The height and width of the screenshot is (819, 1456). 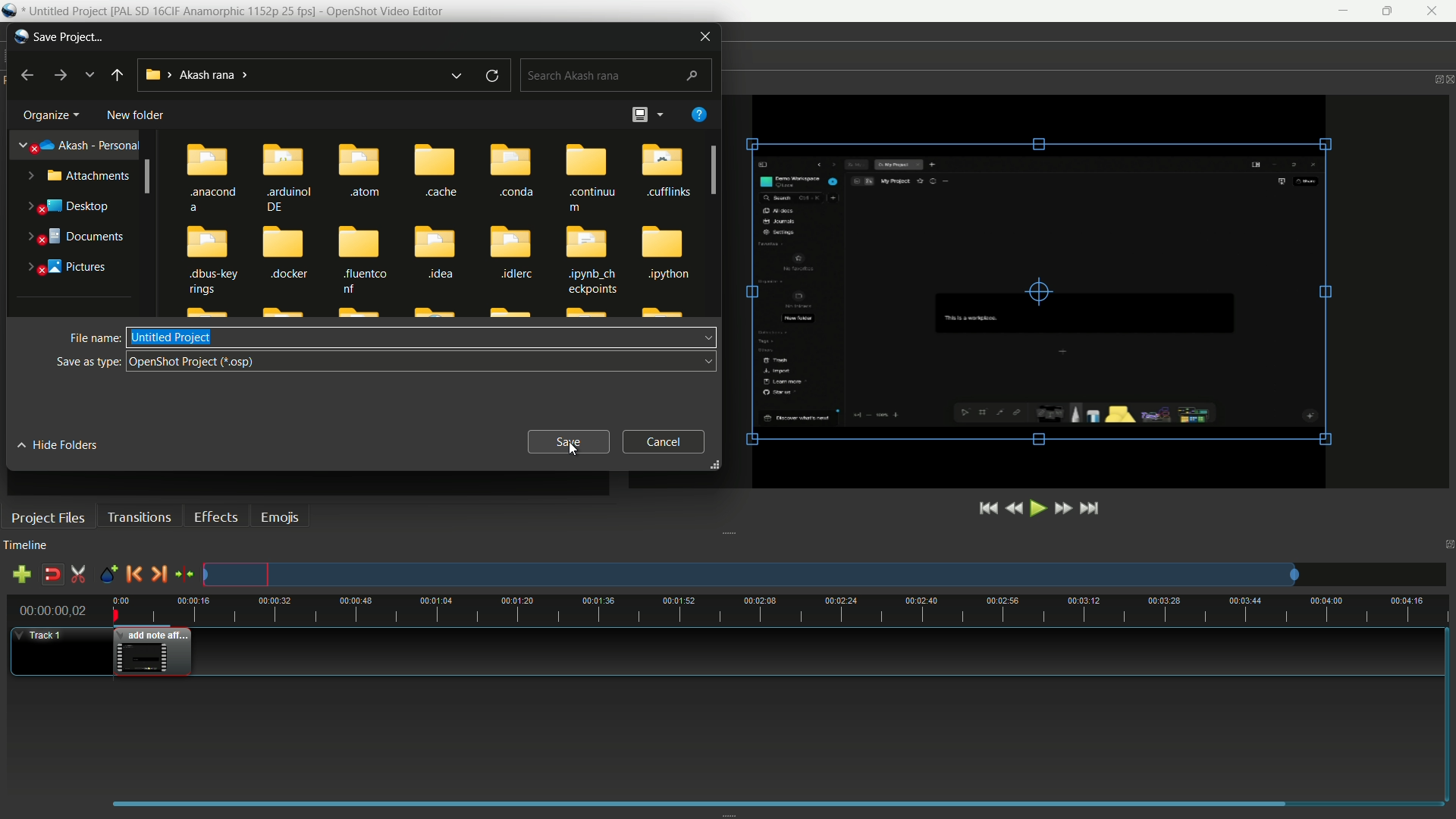 What do you see at coordinates (366, 260) in the screenshot?
I see `fluentco
nf` at bounding box center [366, 260].